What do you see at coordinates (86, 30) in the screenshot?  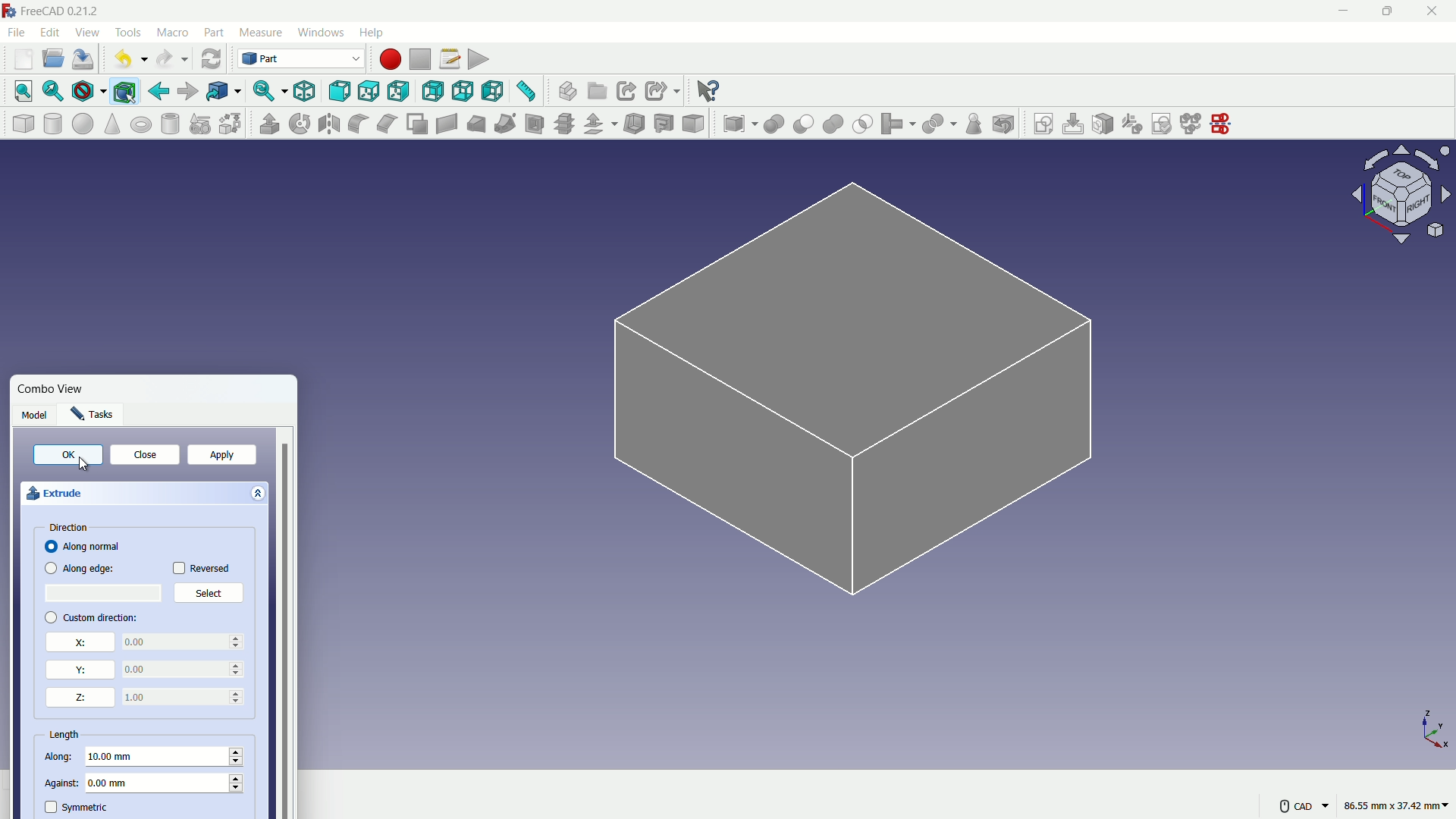 I see `view` at bounding box center [86, 30].